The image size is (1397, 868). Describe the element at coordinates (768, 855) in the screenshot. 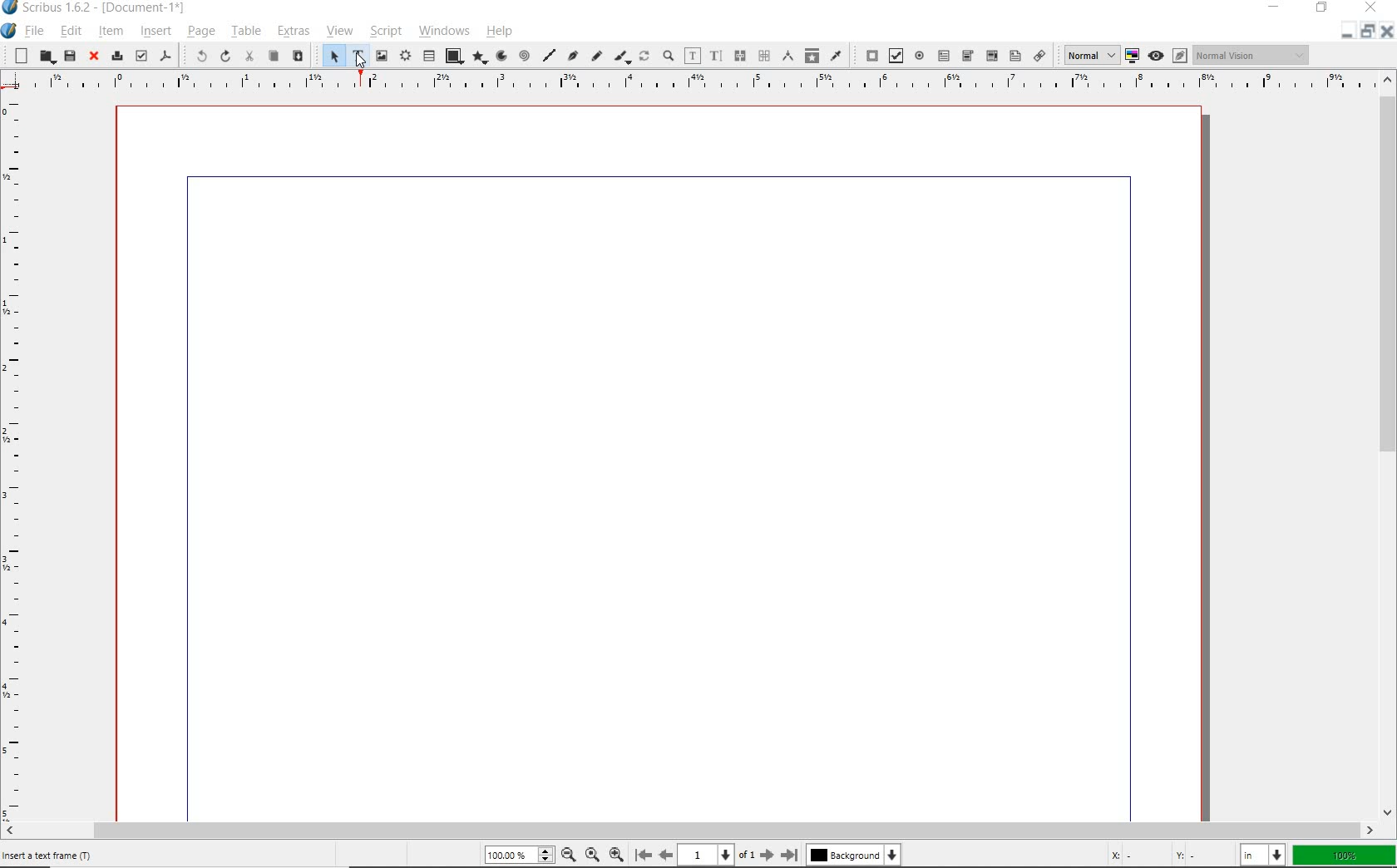

I see `Next Page` at that location.